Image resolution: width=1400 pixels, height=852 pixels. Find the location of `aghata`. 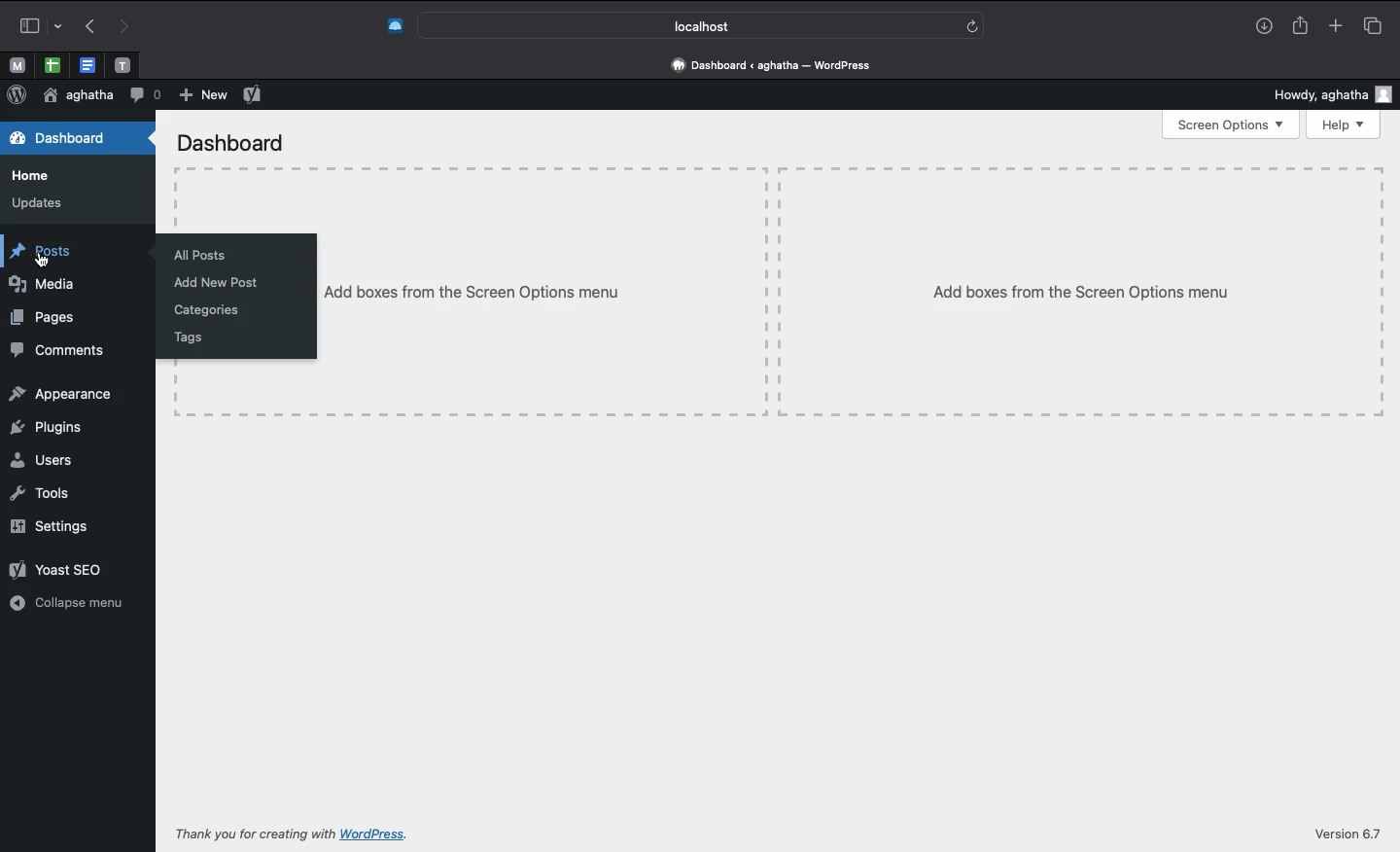

aghata is located at coordinates (78, 96).